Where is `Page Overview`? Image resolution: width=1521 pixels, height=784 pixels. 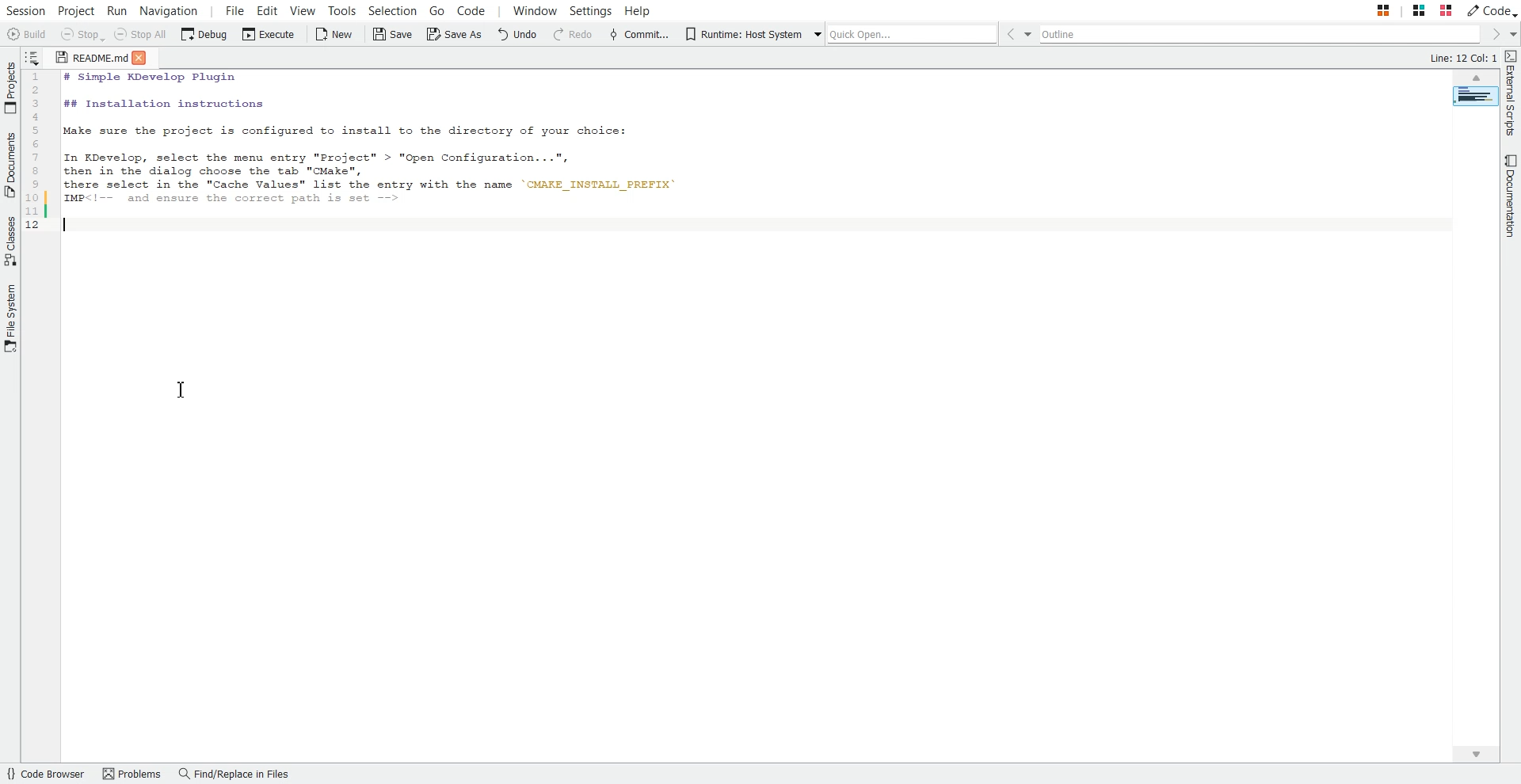 Page Overview is located at coordinates (1475, 96).